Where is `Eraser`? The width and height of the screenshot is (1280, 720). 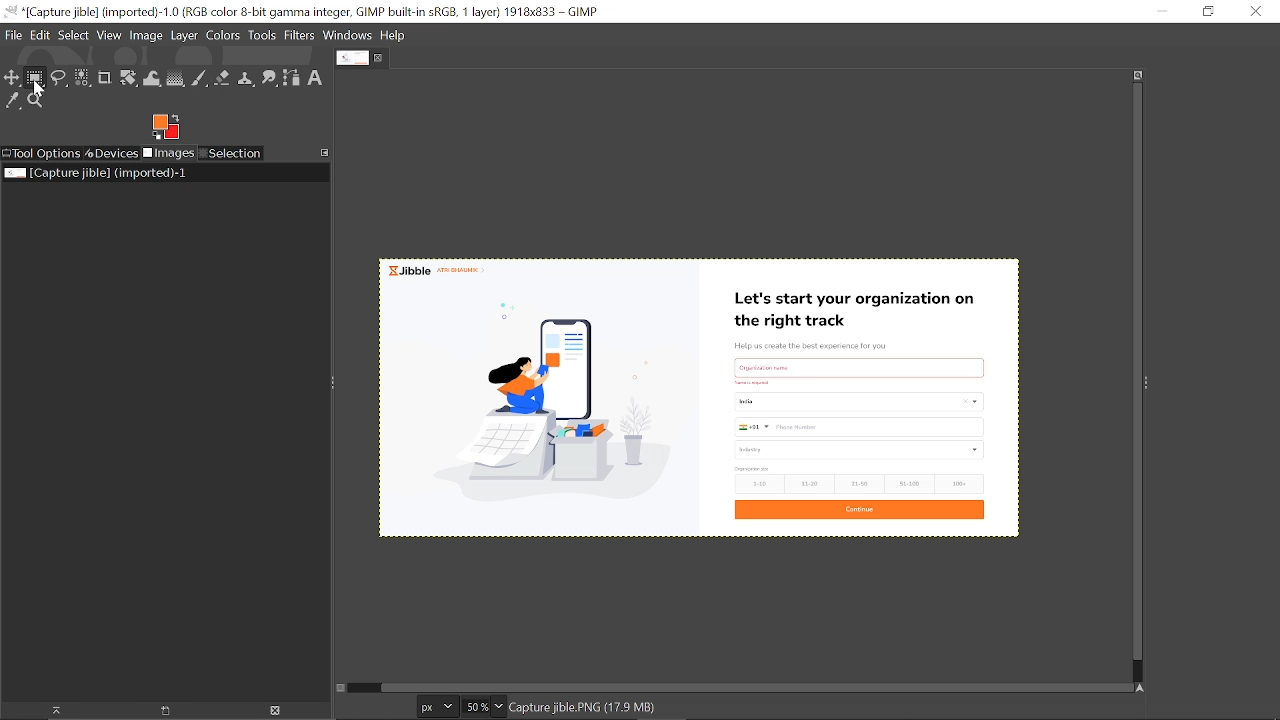 Eraser is located at coordinates (223, 79).